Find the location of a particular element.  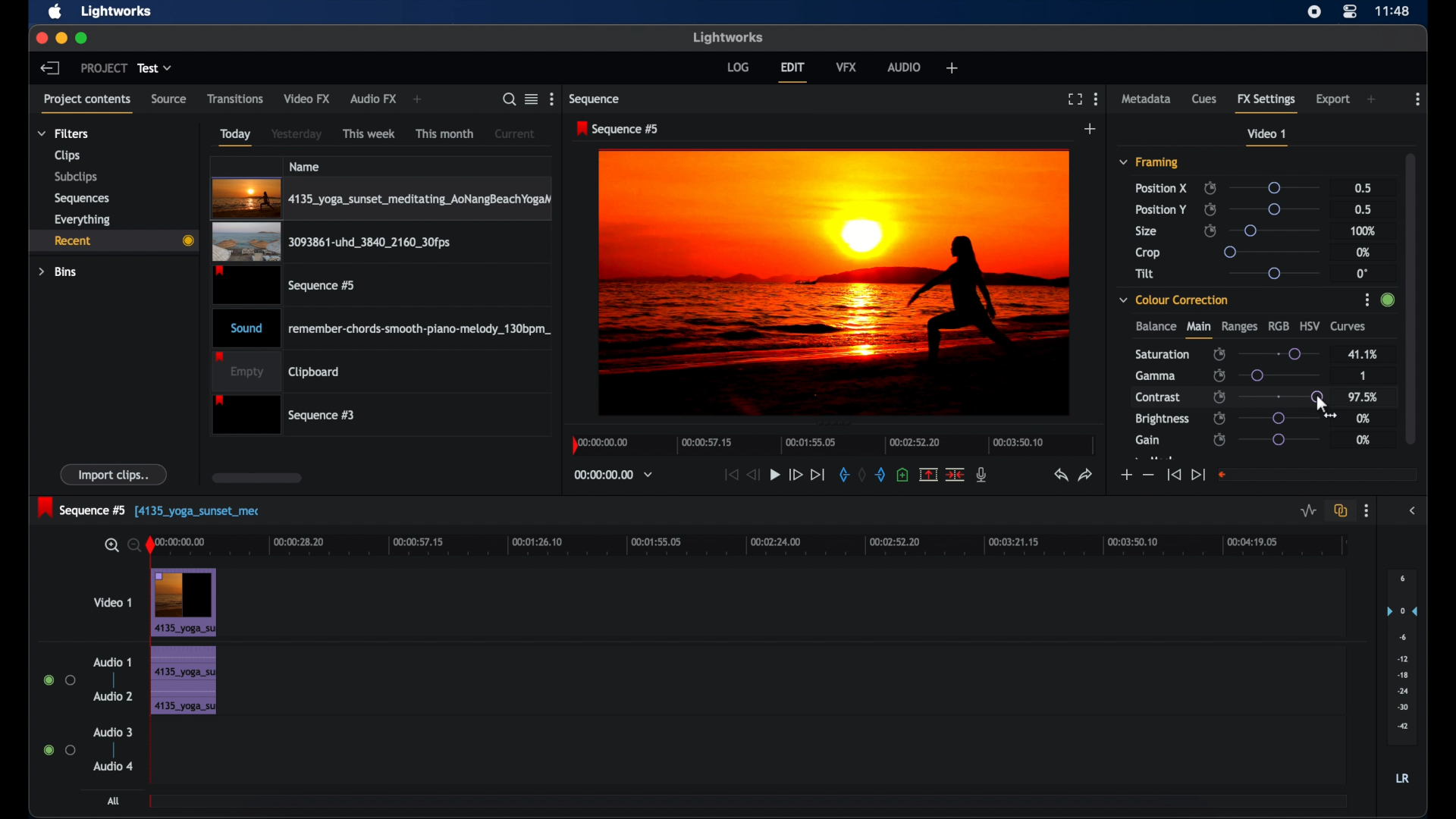

transitions is located at coordinates (235, 98).